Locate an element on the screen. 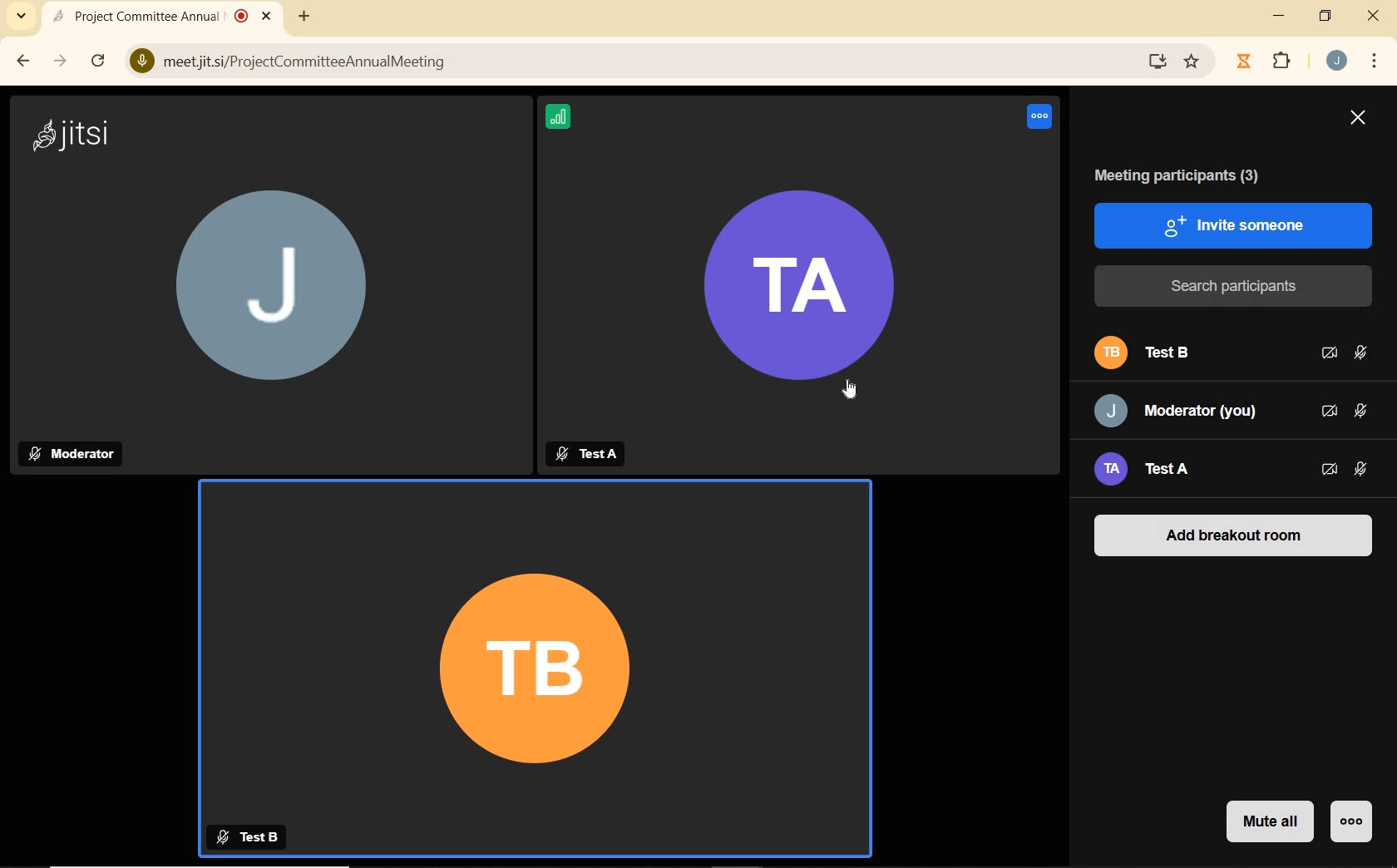 The width and height of the screenshot is (1397, 868). Test B is located at coordinates (251, 836).